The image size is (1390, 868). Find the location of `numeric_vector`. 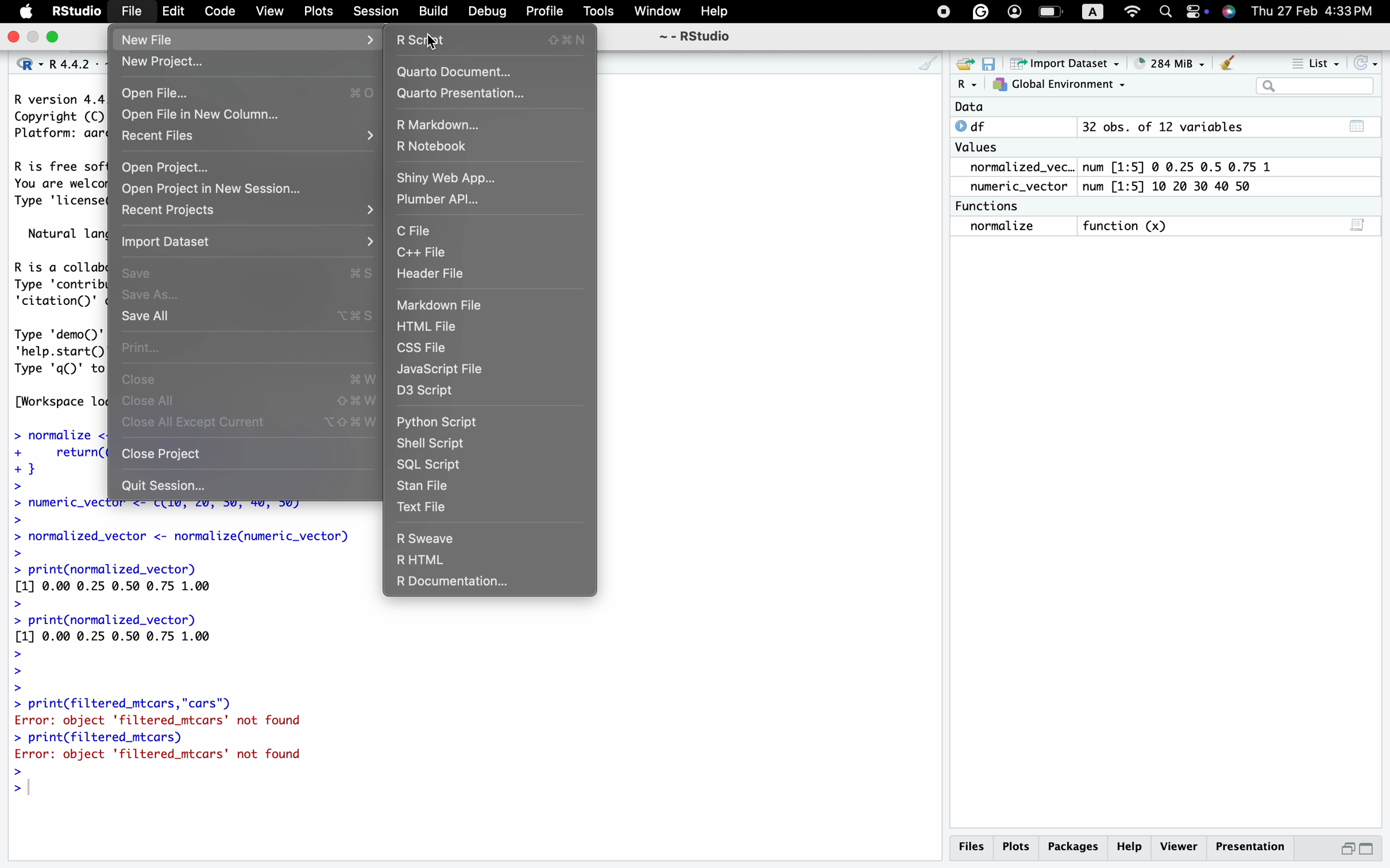

numeric_vector is located at coordinates (1023, 187).